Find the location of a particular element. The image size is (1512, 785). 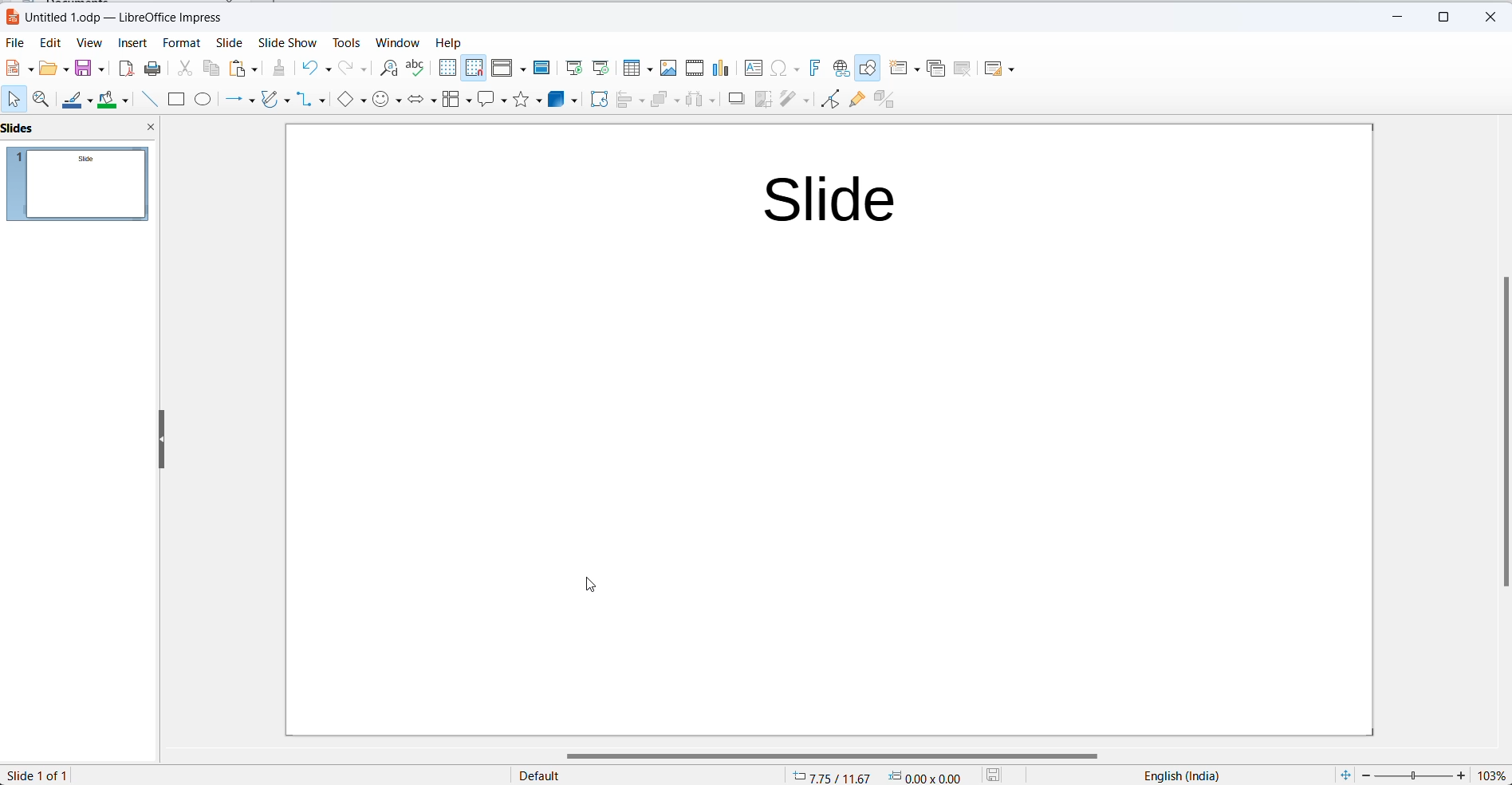

dimension is located at coordinates (926, 775).